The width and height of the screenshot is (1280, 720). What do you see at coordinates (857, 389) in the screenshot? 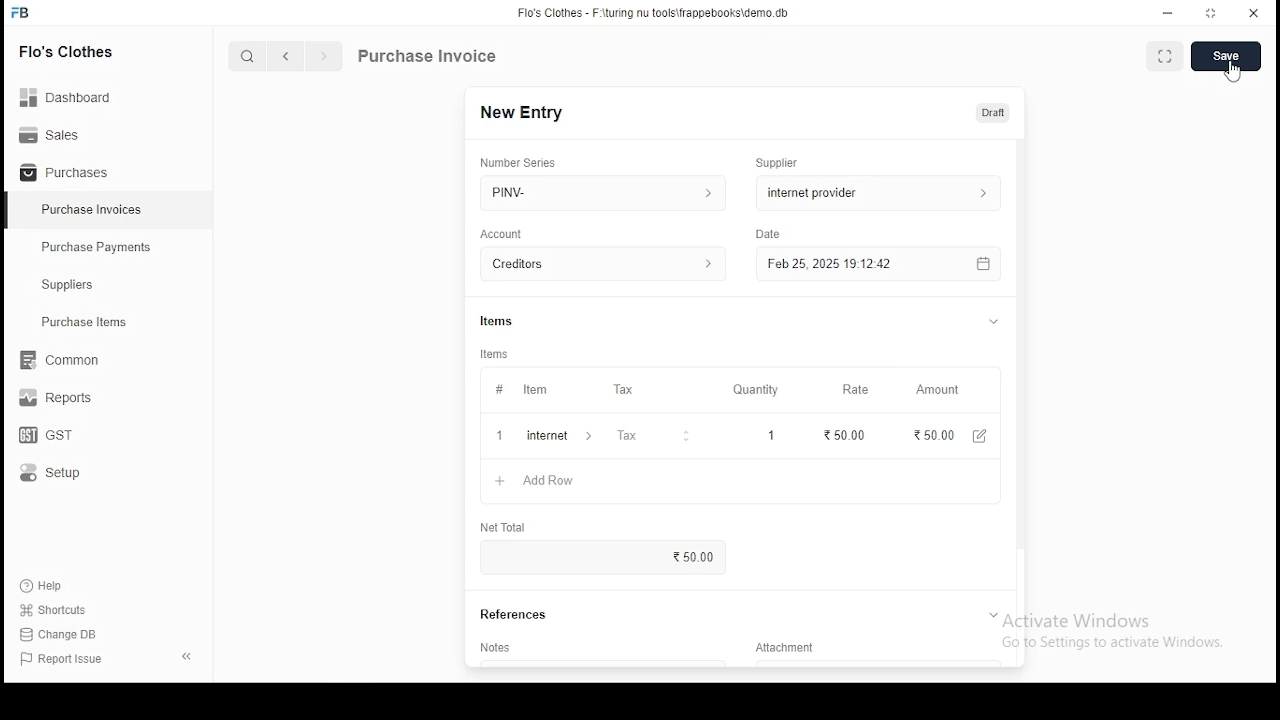
I see `Rate` at bounding box center [857, 389].